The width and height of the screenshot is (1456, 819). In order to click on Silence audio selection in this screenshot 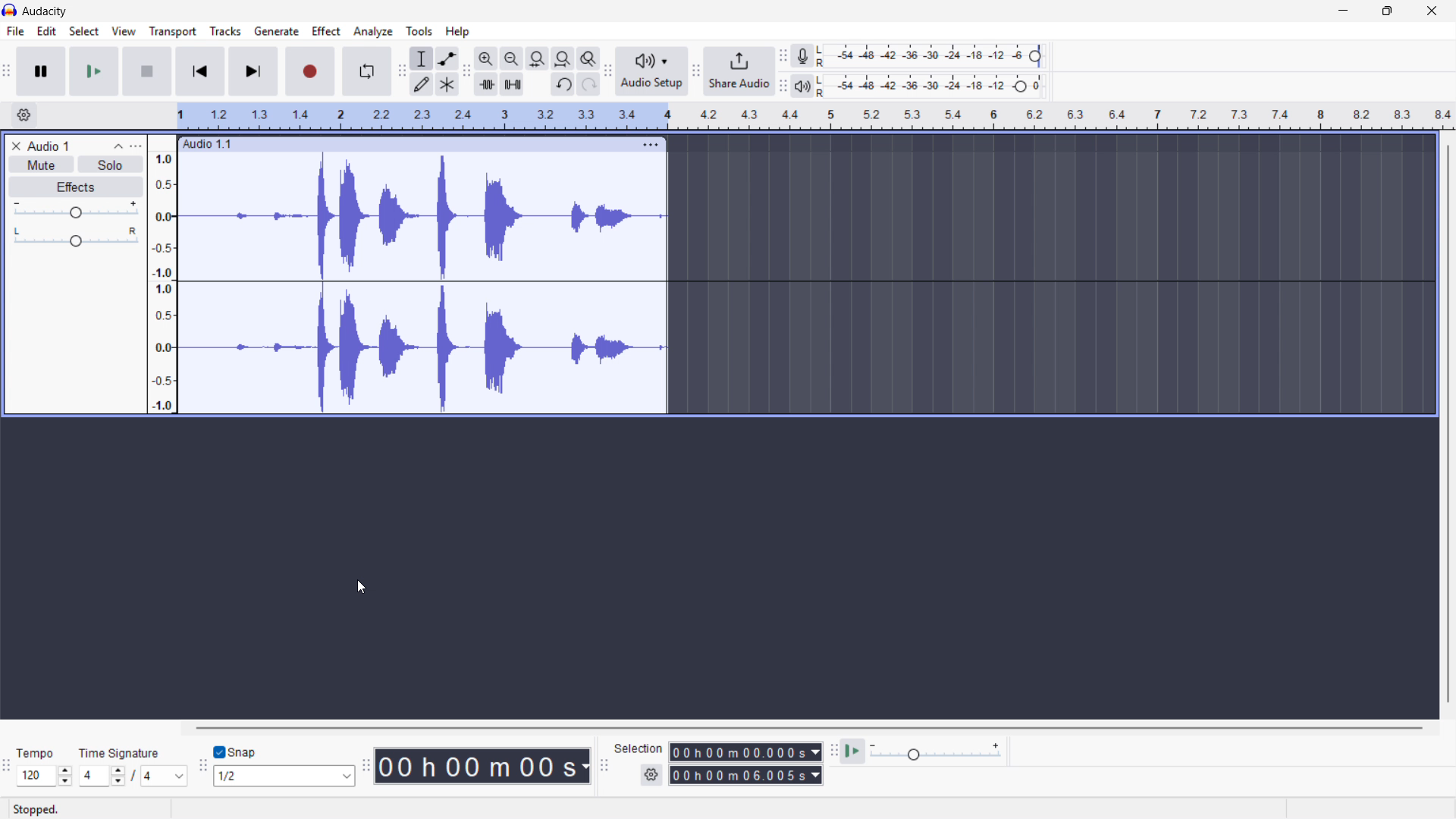, I will do `click(513, 84)`.